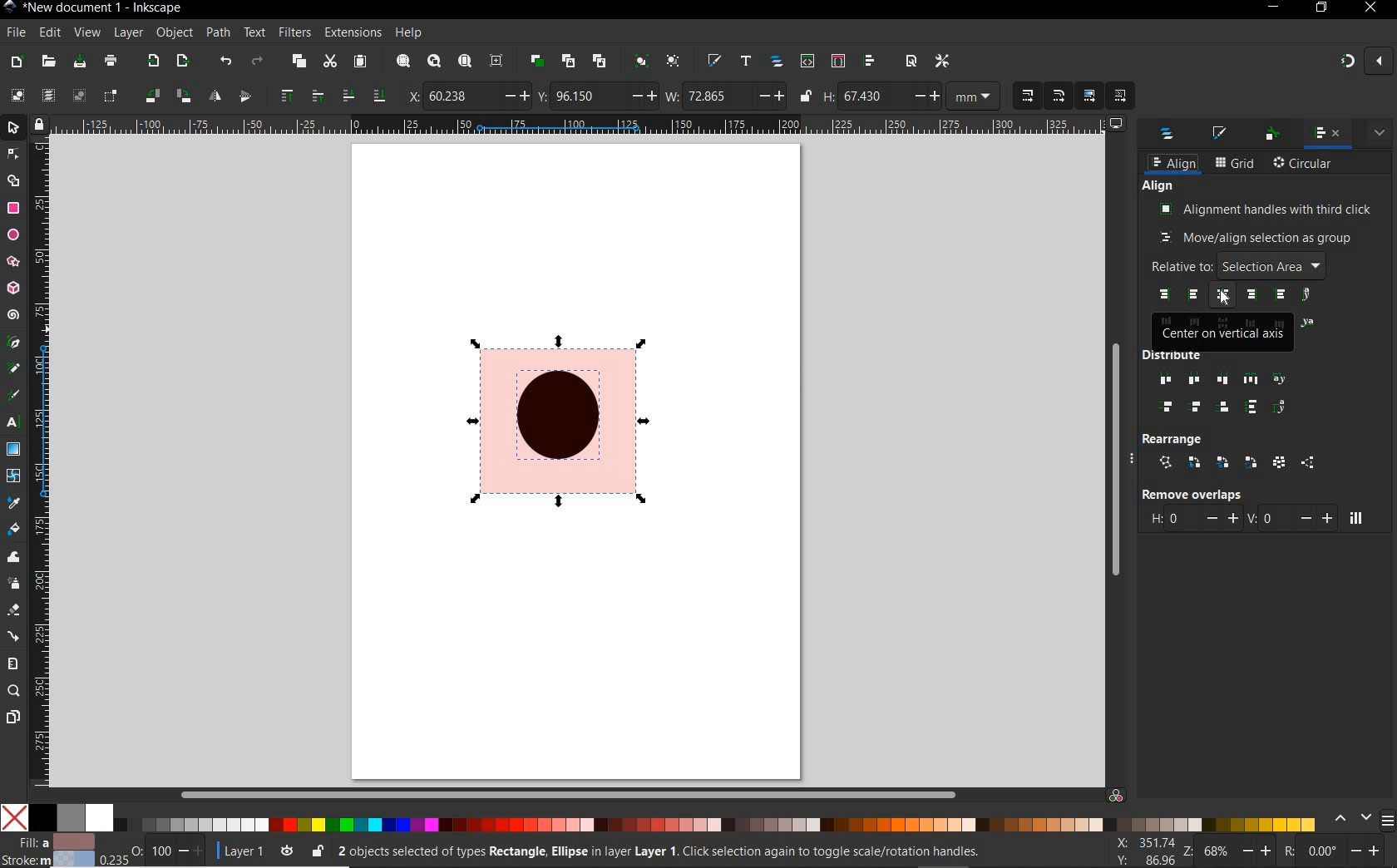 The height and width of the screenshot is (868, 1397). What do you see at coordinates (1272, 135) in the screenshot?
I see `object properties` at bounding box center [1272, 135].